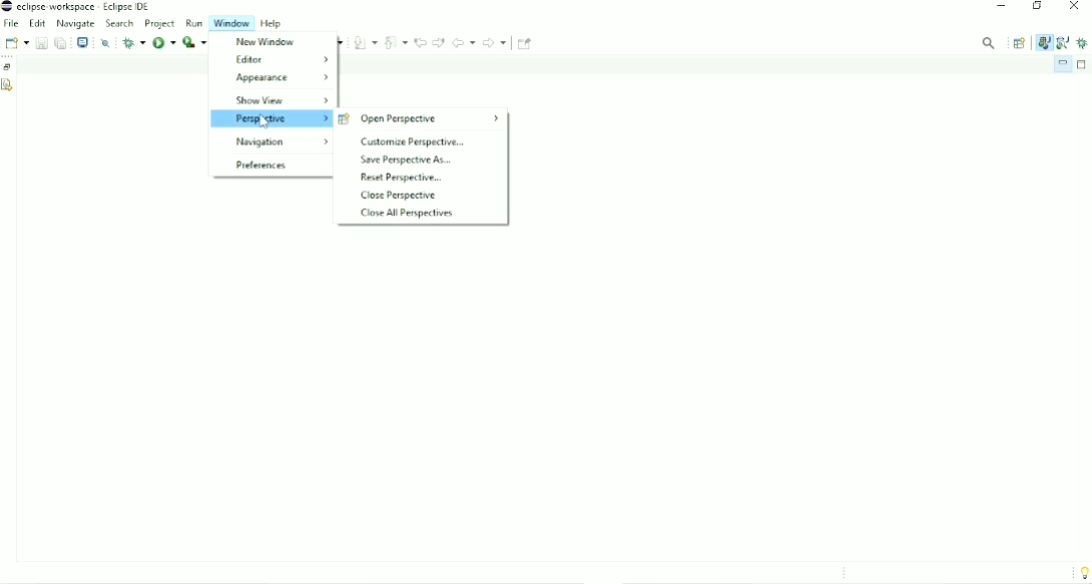 The height and width of the screenshot is (584, 1092). I want to click on Java Browsing, so click(1063, 42).